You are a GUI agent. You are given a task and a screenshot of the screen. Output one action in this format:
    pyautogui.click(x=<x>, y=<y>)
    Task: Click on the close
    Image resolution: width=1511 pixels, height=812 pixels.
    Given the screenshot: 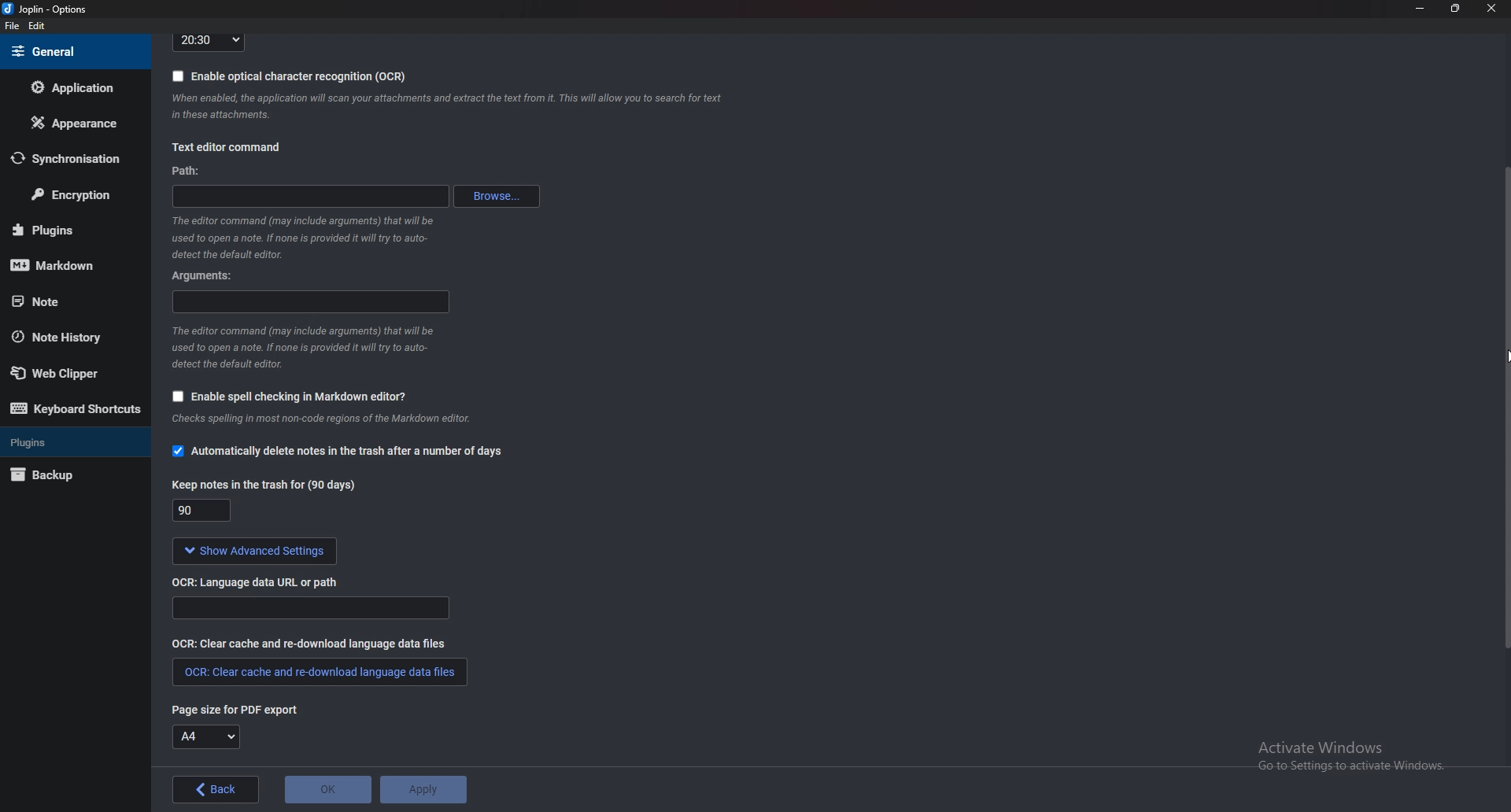 What is the action you would take?
    pyautogui.click(x=1489, y=8)
    